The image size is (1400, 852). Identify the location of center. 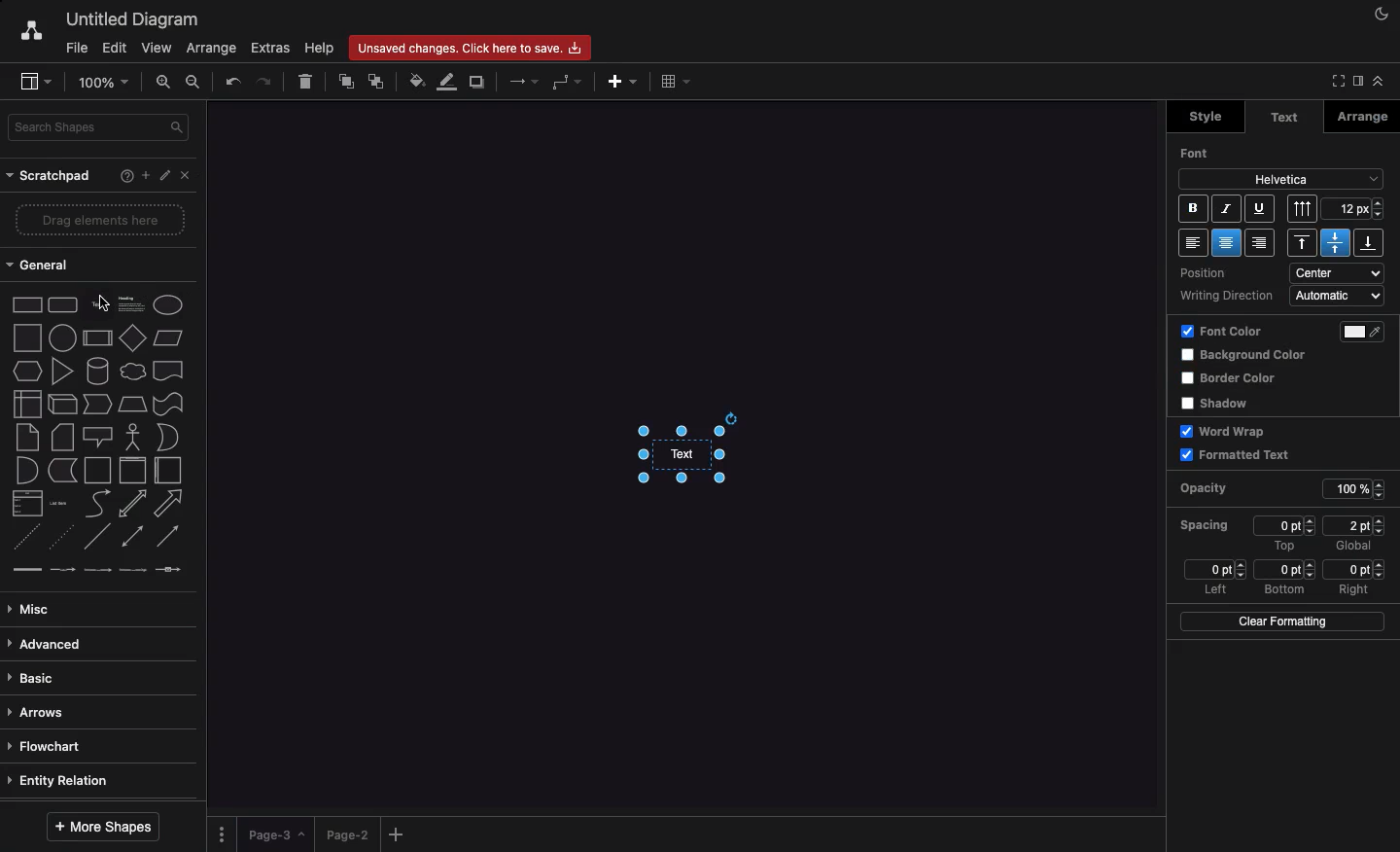
(1340, 272).